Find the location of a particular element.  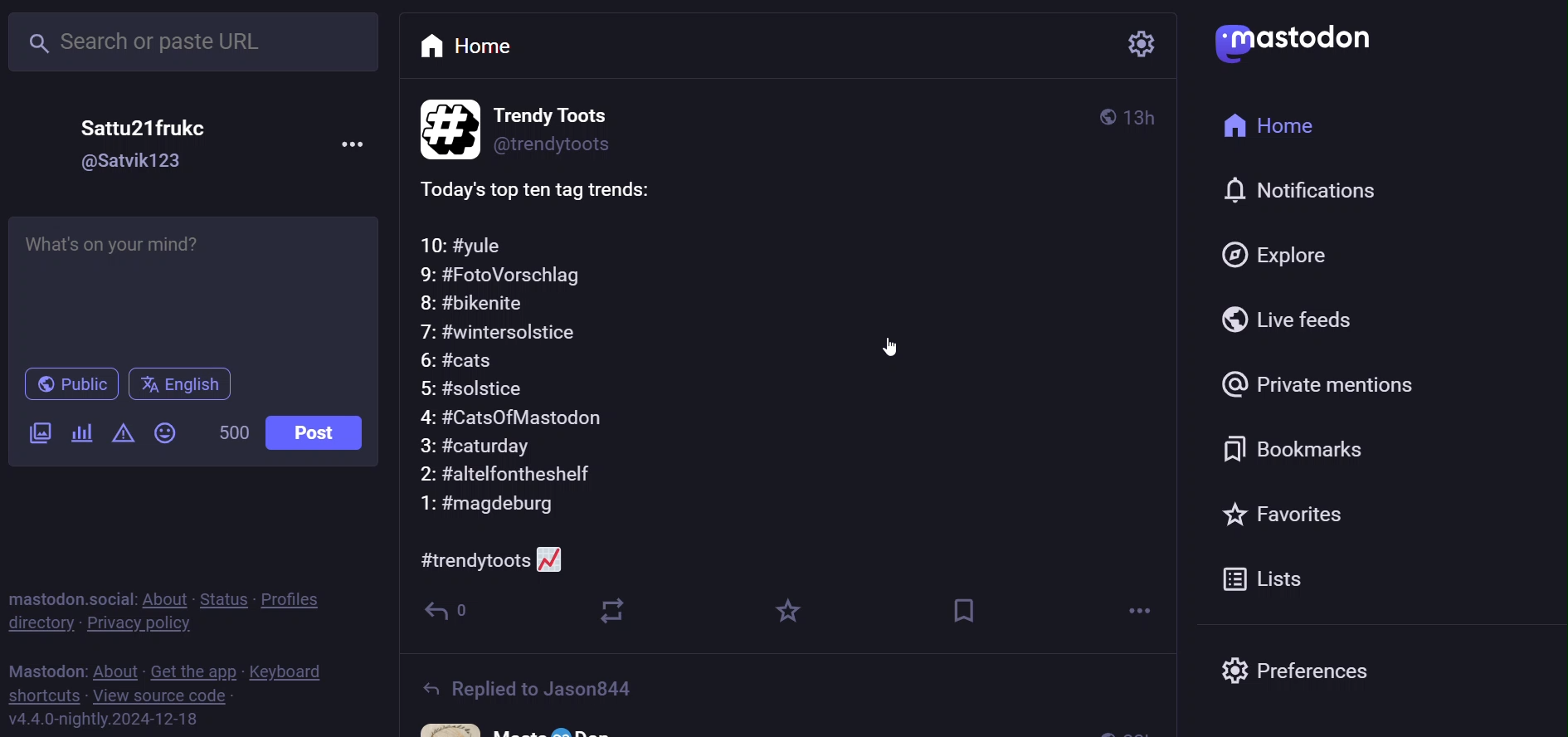

home is located at coordinates (1276, 125).